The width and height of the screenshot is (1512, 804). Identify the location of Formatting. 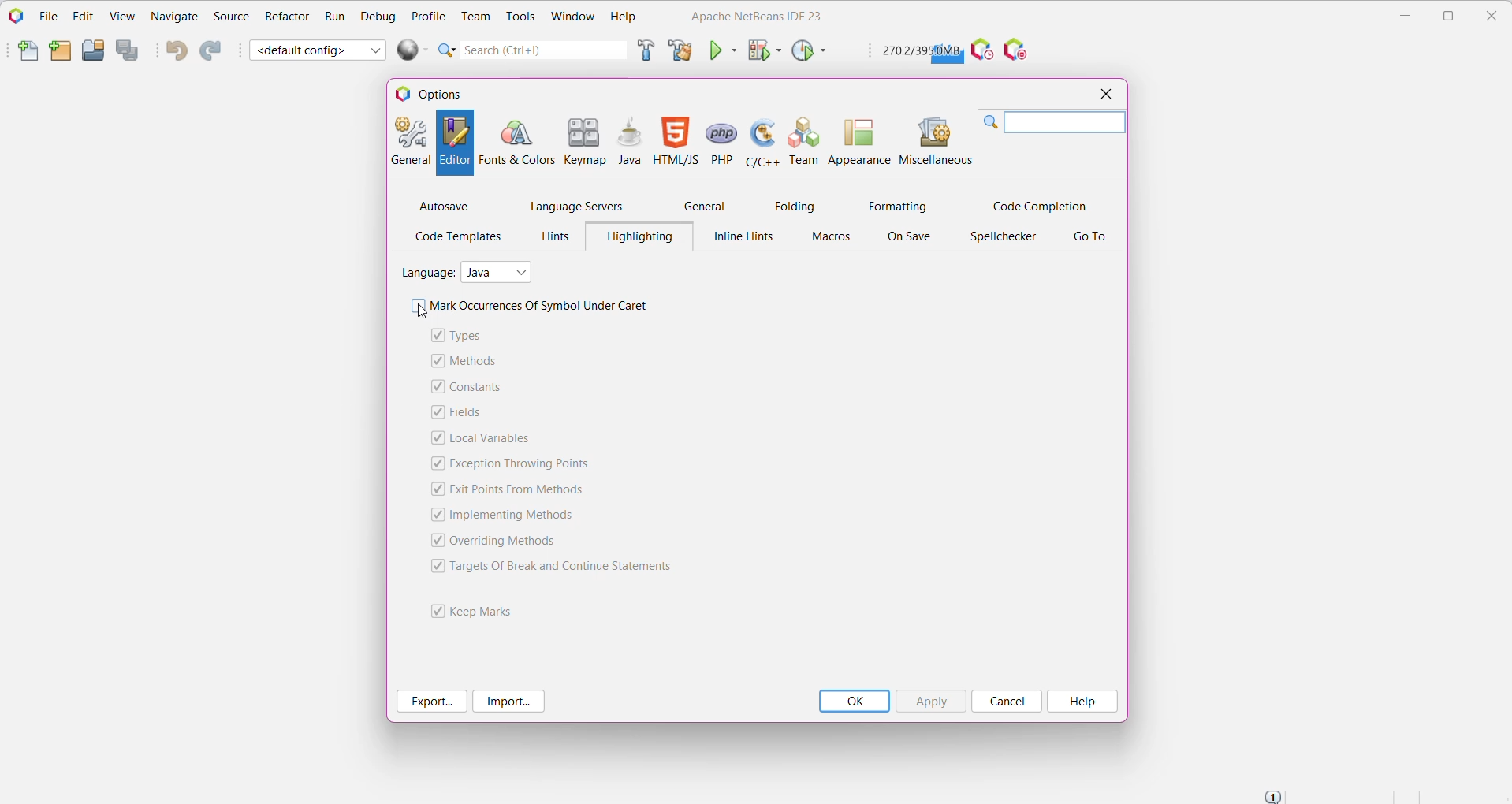
(896, 205).